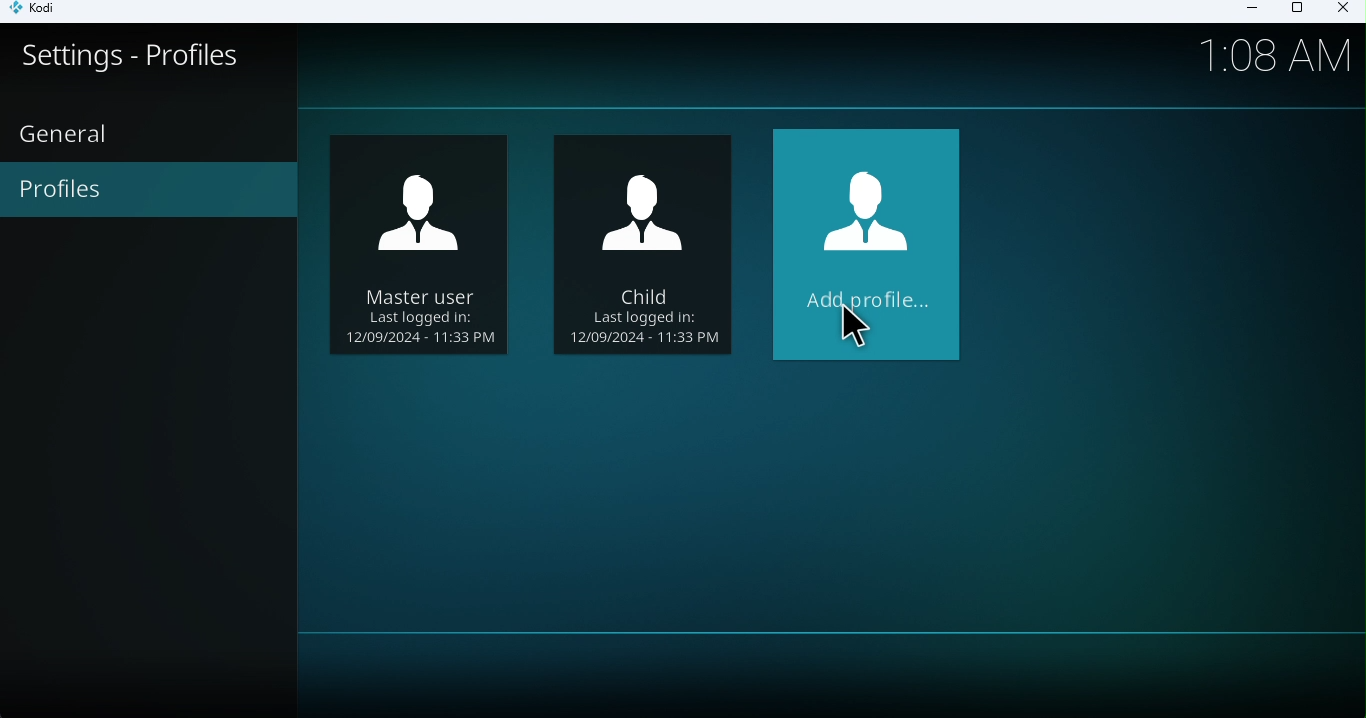 This screenshot has height=718, width=1366. I want to click on cursor, so click(858, 324).